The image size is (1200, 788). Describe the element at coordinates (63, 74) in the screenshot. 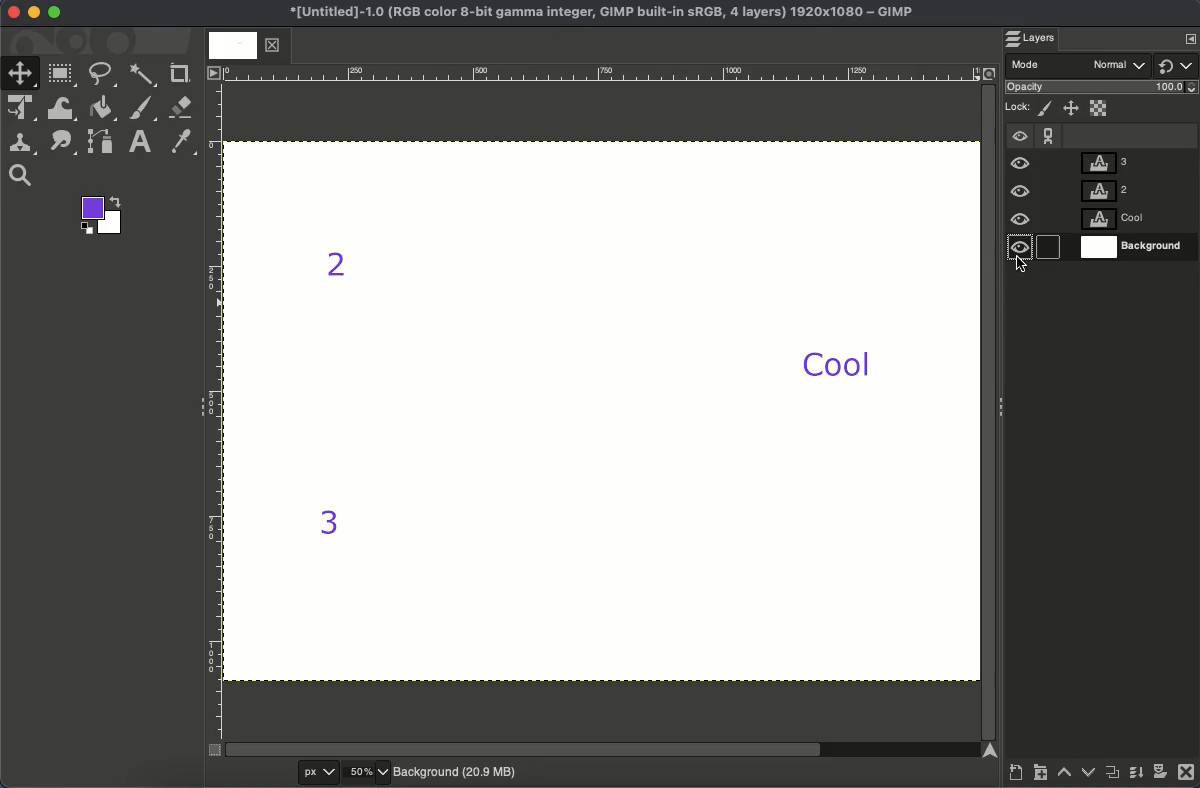

I see `Rectangular select` at that location.